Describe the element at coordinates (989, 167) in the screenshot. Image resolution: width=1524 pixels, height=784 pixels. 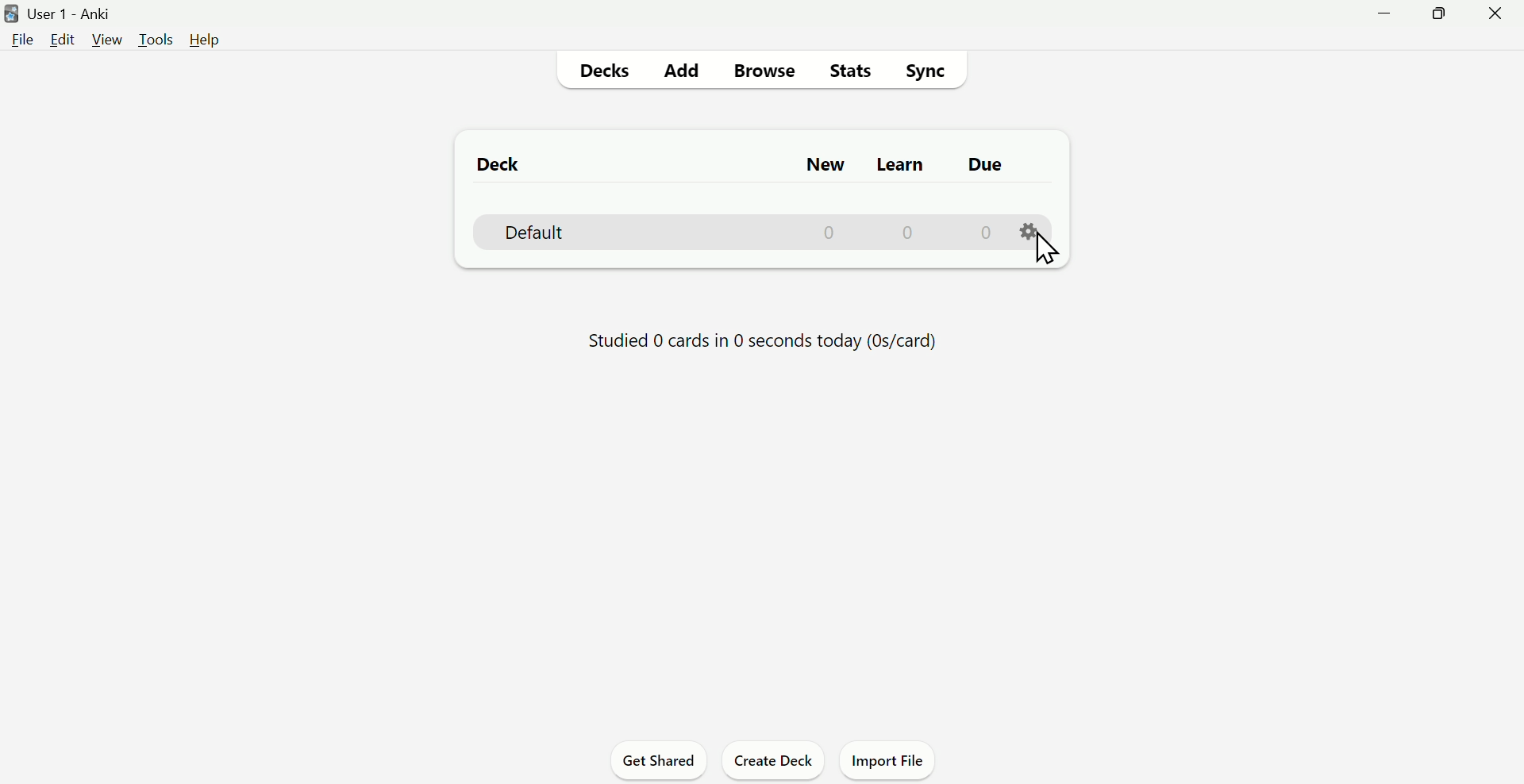
I see `Due` at that location.